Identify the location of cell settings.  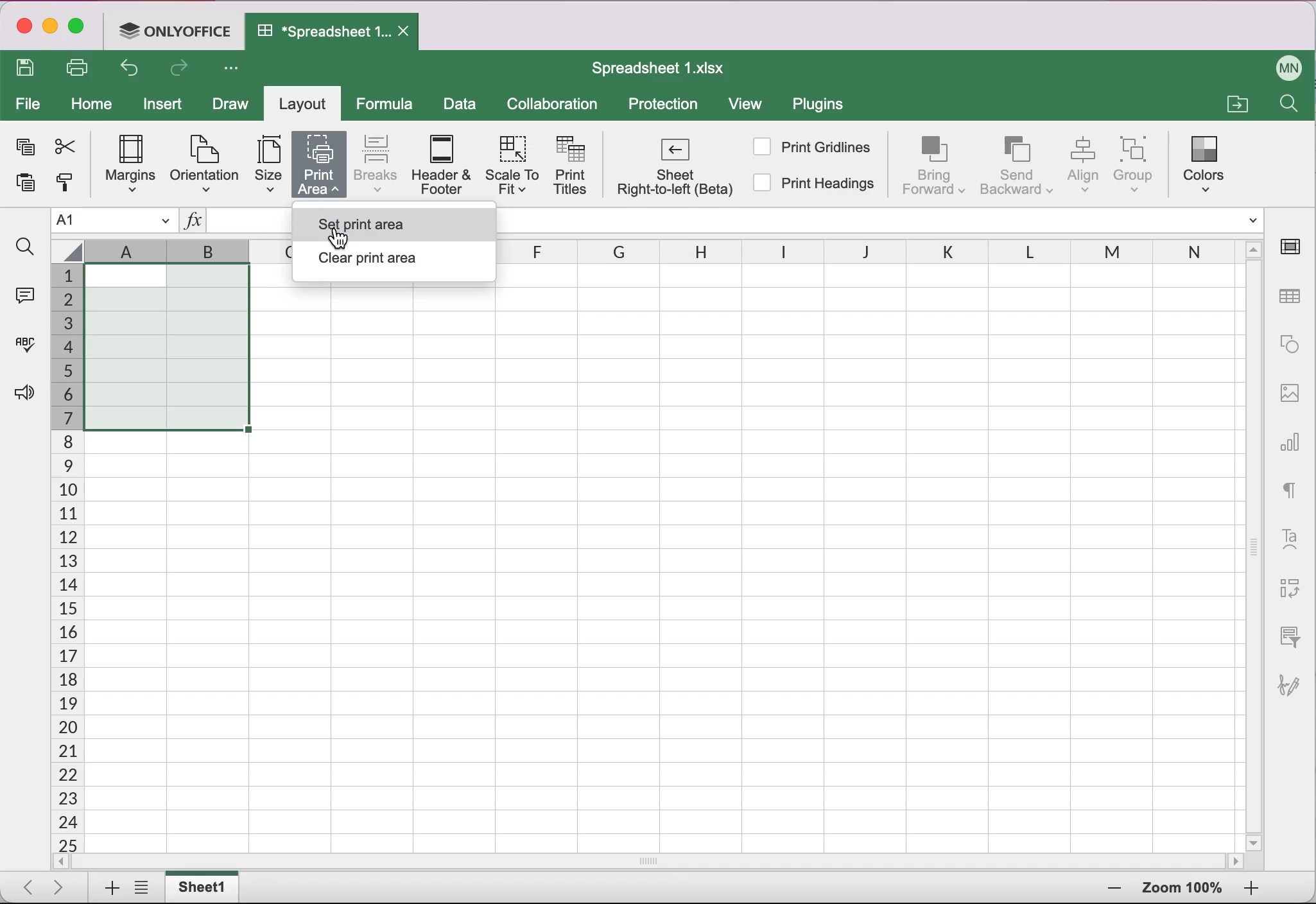
(1295, 247).